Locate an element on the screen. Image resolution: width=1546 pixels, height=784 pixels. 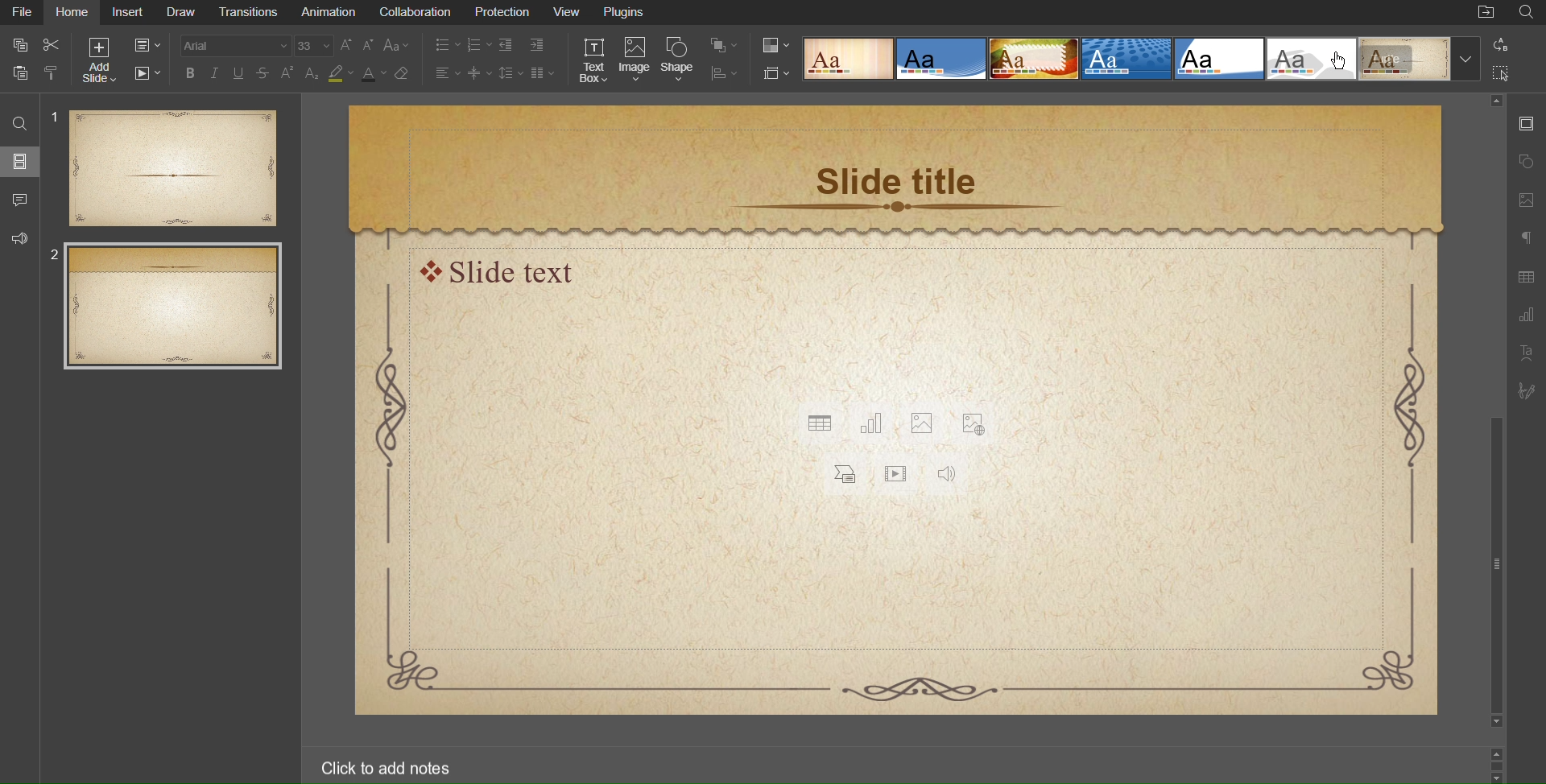
cut is located at coordinates (56, 43).